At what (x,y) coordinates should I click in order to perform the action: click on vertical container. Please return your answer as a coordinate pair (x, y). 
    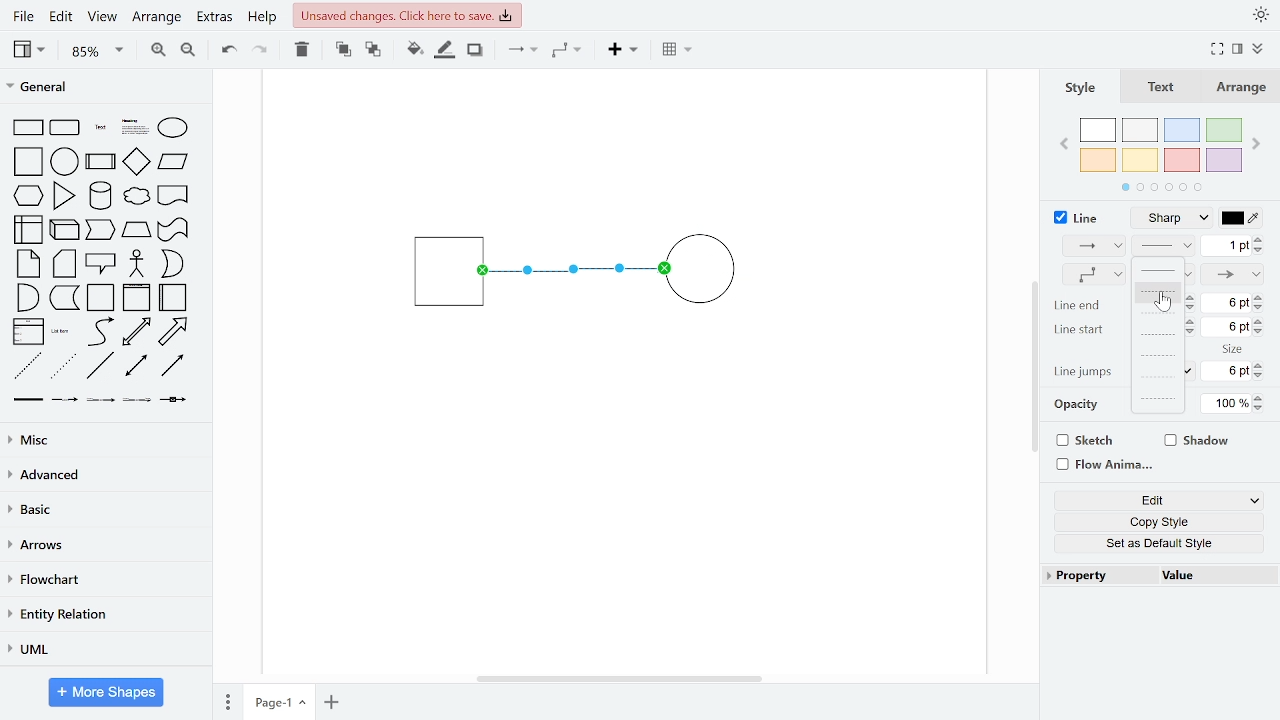
    Looking at the image, I should click on (136, 298).